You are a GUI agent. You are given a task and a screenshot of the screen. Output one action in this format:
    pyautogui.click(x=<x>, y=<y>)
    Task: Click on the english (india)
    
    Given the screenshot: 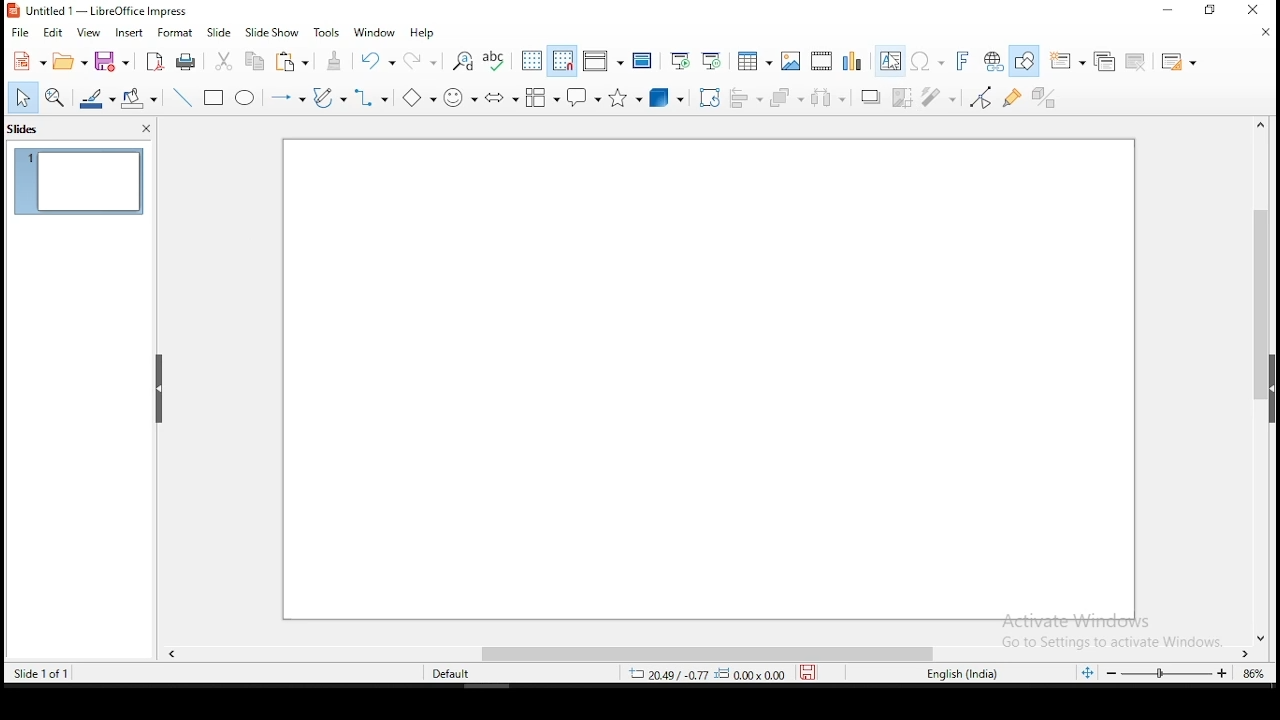 What is the action you would take?
    pyautogui.click(x=959, y=673)
    